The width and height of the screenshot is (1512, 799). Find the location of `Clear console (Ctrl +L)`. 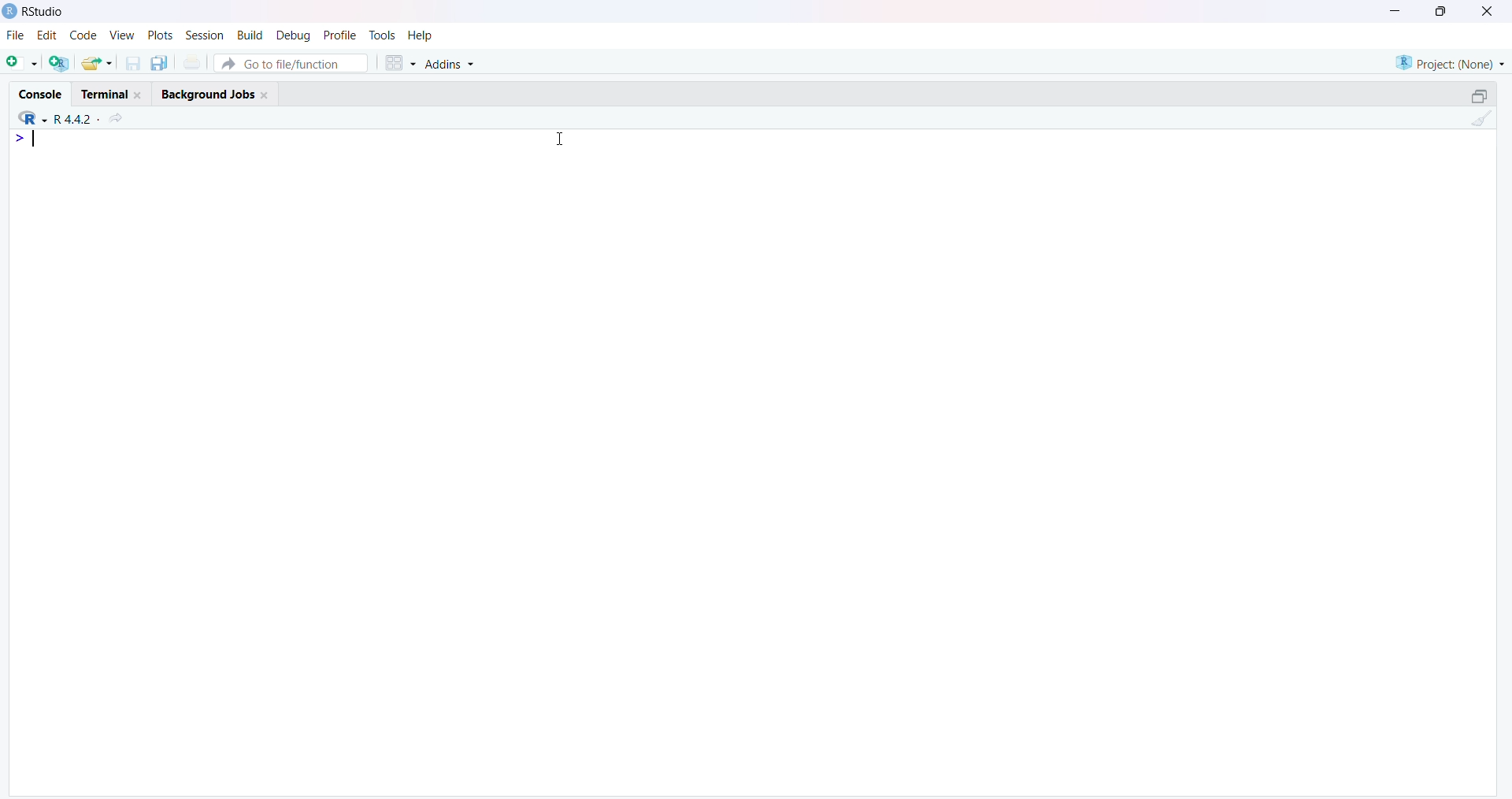

Clear console (Ctrl +L) is located at coordinates (1478, 122).